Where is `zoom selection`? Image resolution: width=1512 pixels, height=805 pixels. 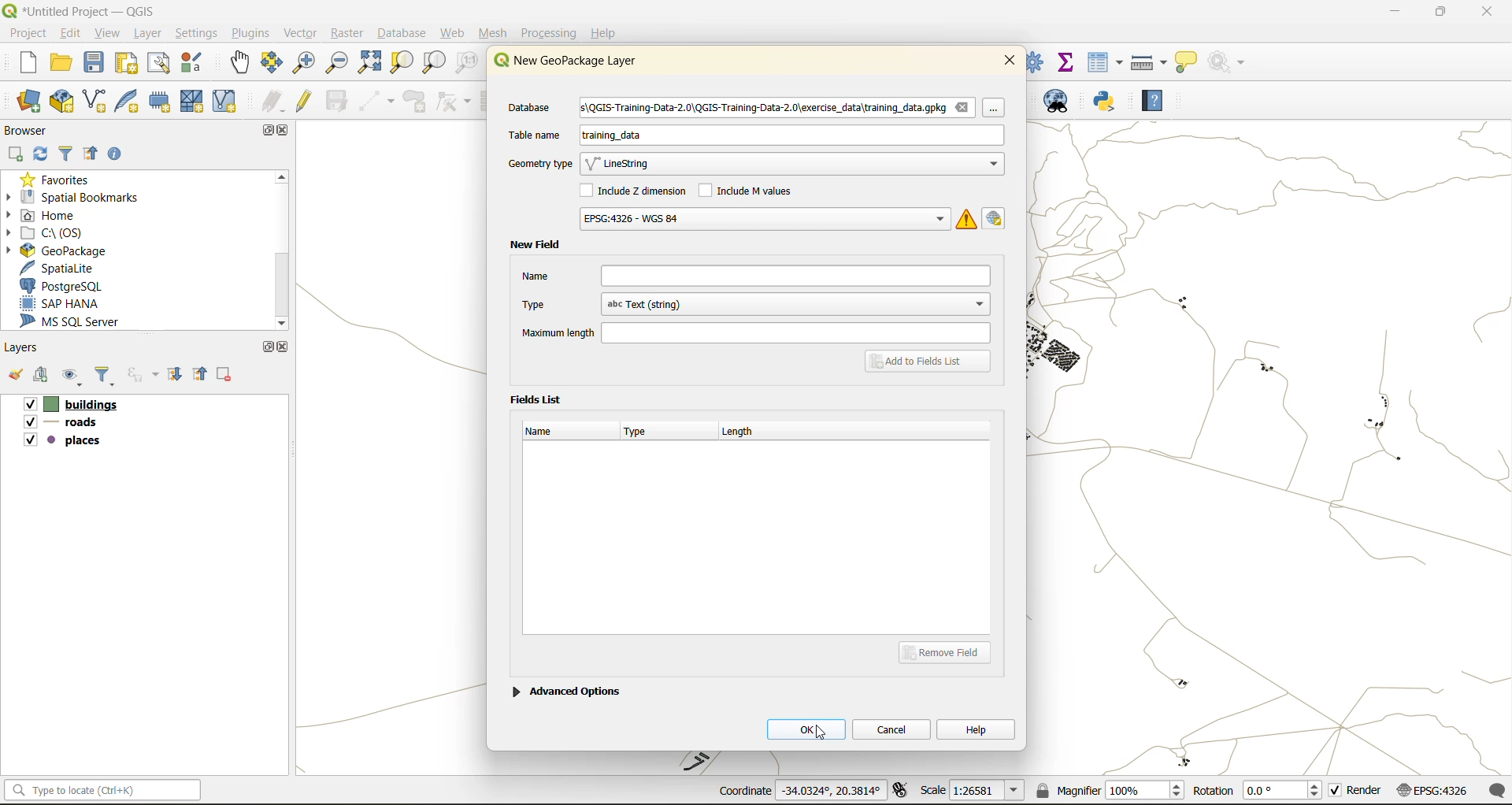 zoom selection is located at coordinates (404, 62).